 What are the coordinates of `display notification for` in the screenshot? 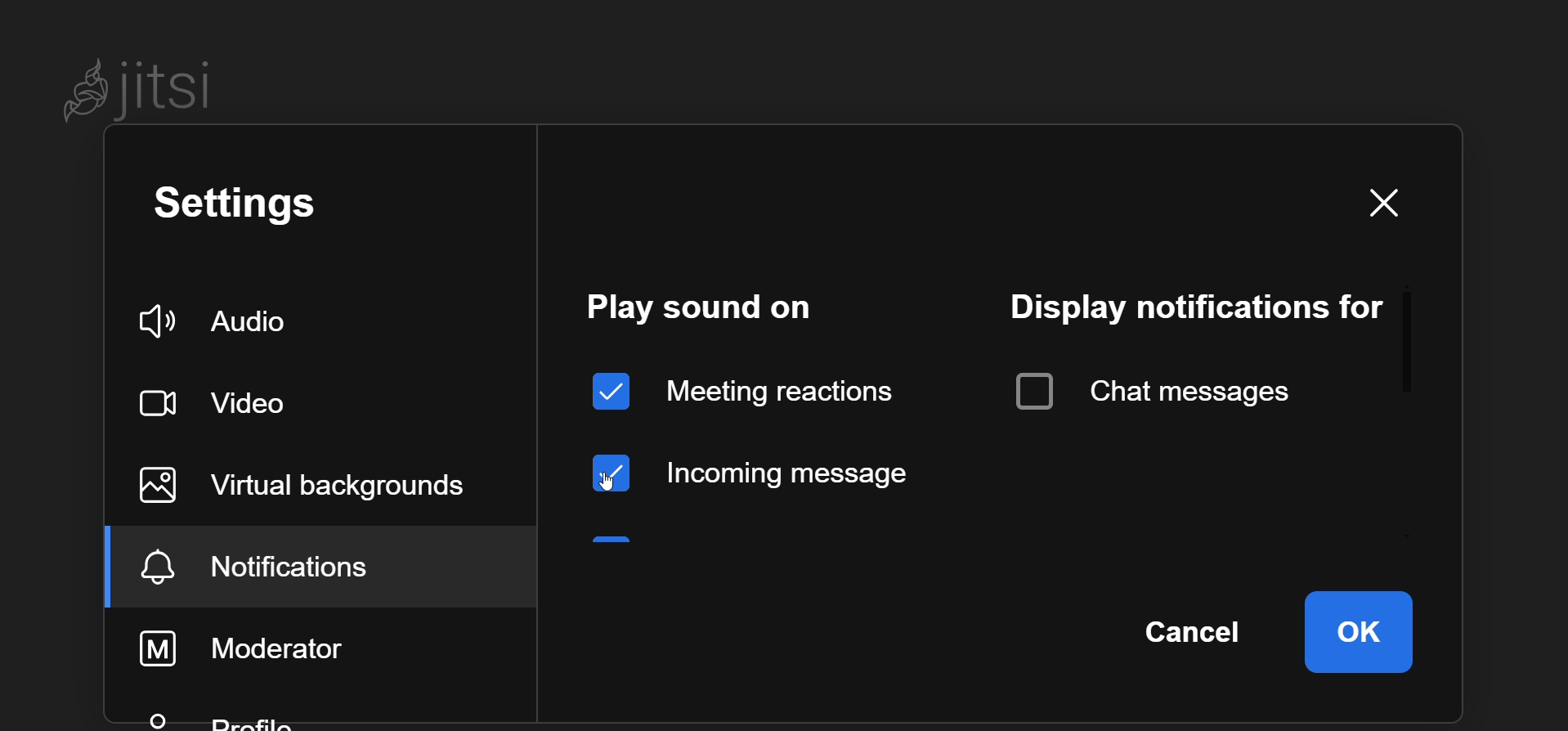 It's located at (1193, 306).